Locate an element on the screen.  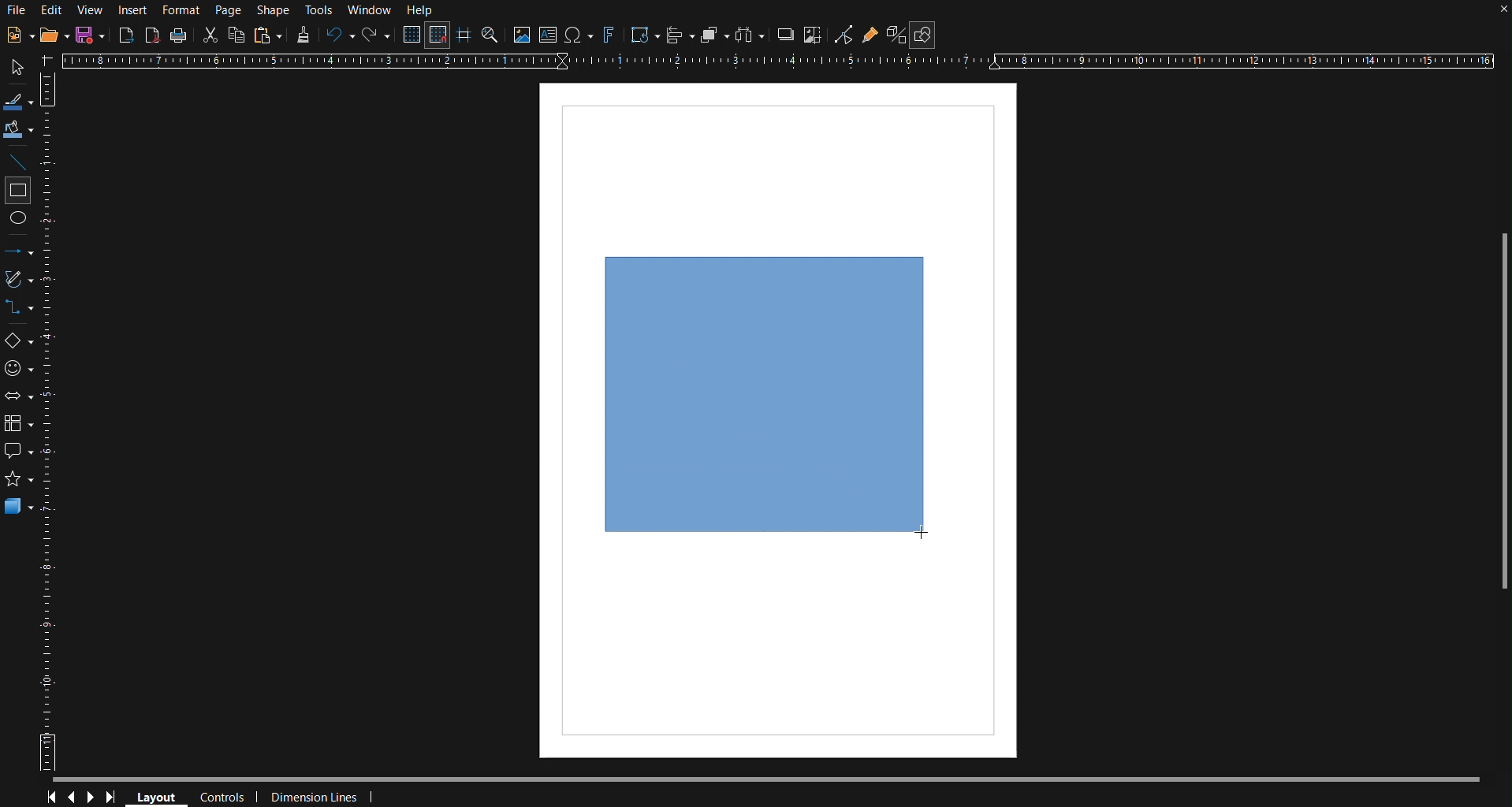
Transformations is located at coordinates (643, 35).